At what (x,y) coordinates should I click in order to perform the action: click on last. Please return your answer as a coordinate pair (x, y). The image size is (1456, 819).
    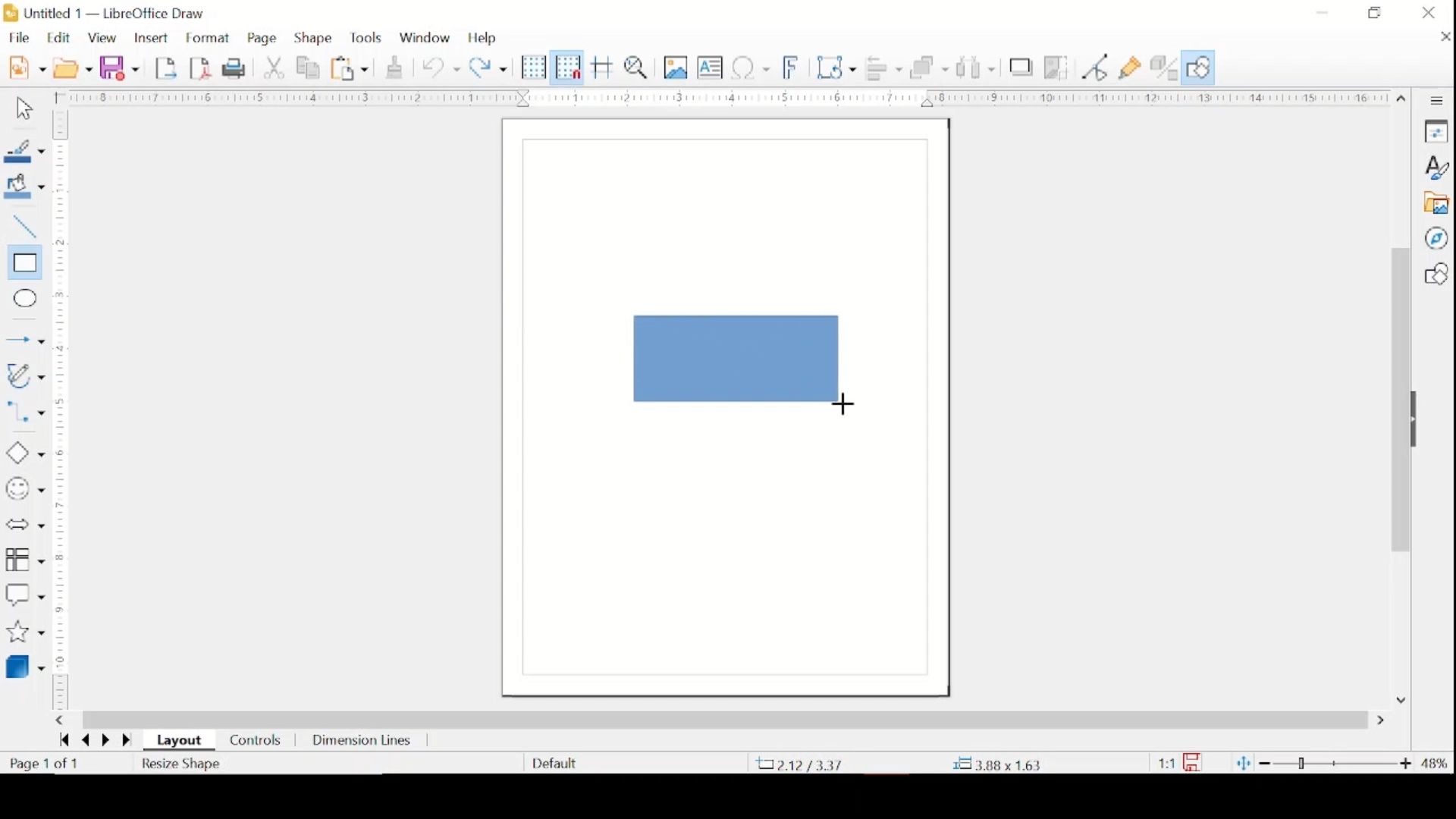
    Looking at the image, I should click on (64, 739).